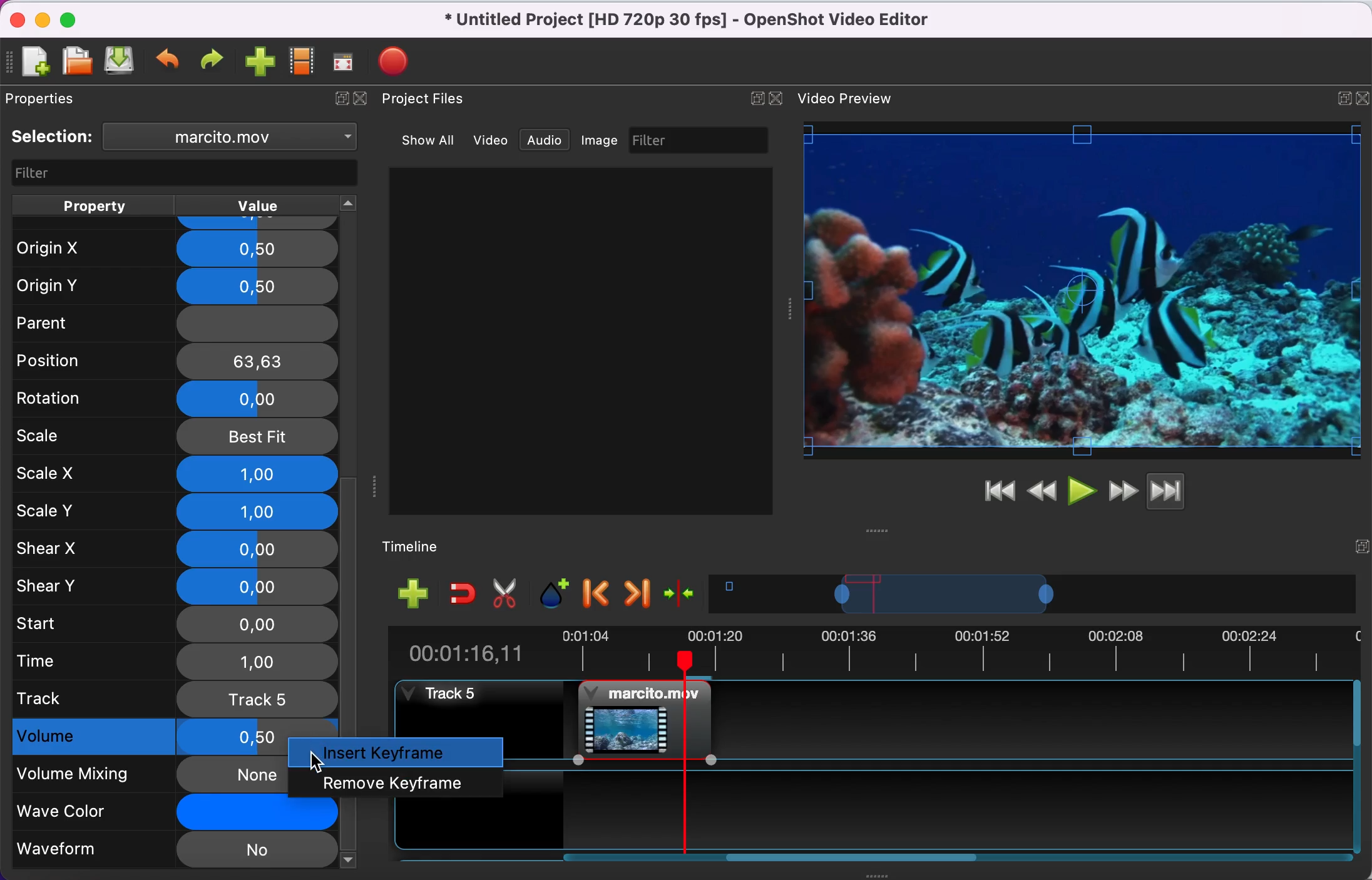 This screenshot has height=880, width=1372. What do you see at coordinates (170, 322) in the screenshot?
I see `parent` at bounding box center [170, 322].